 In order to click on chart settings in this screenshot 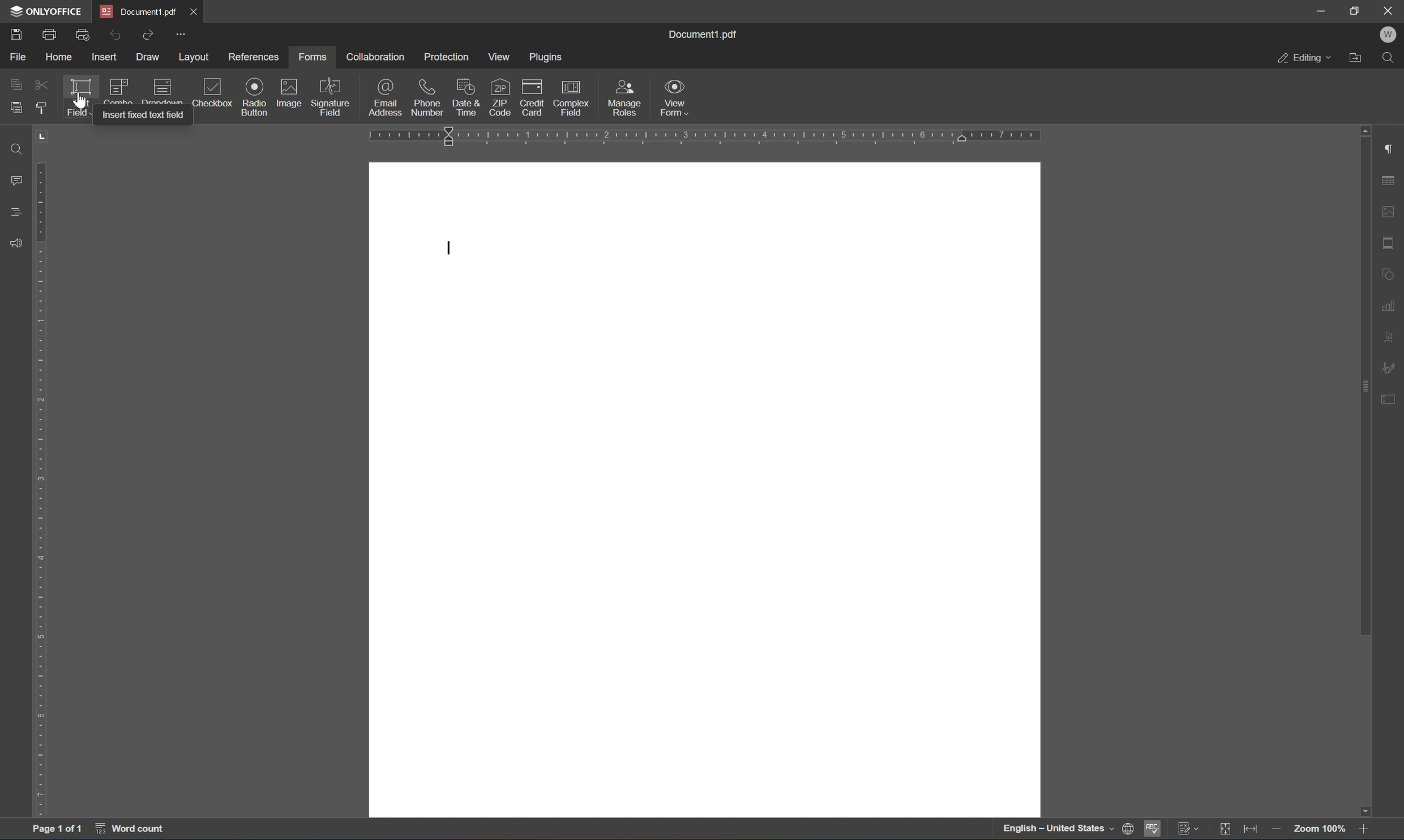, I will do `click(1392, 306)`.